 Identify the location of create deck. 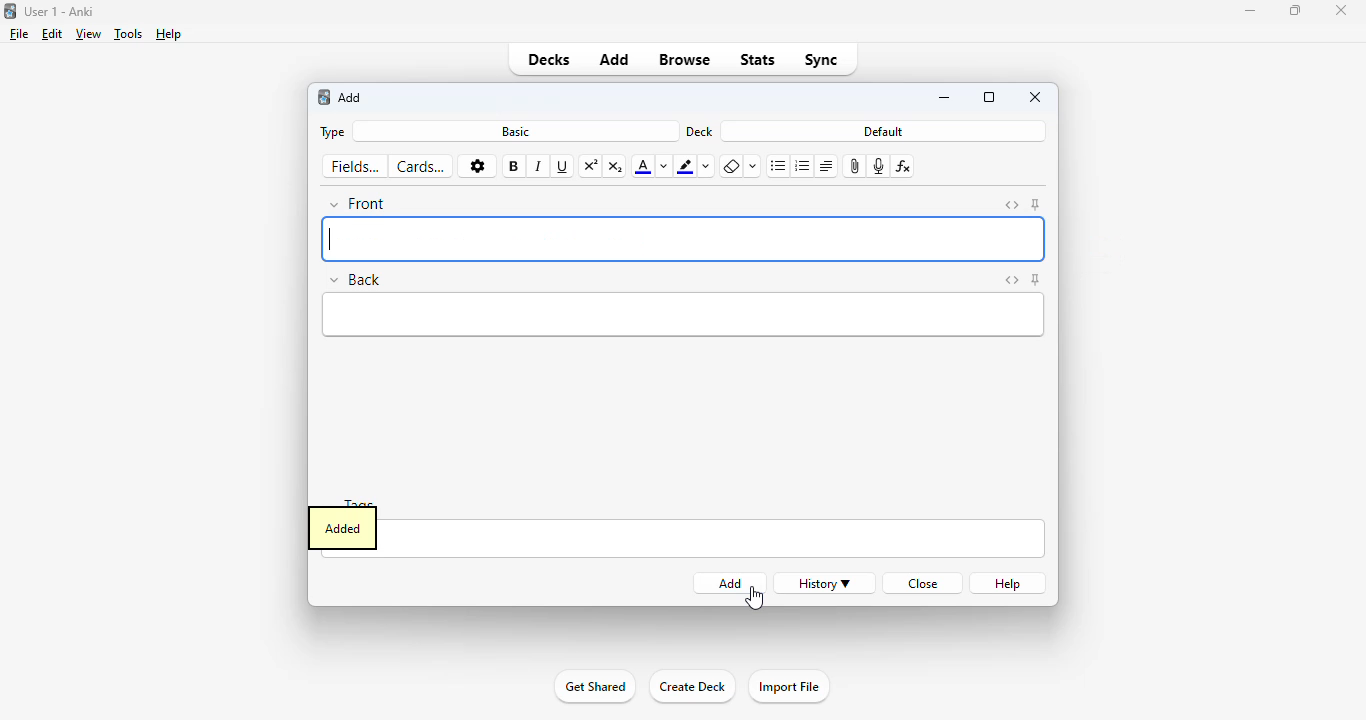
(691, 687).